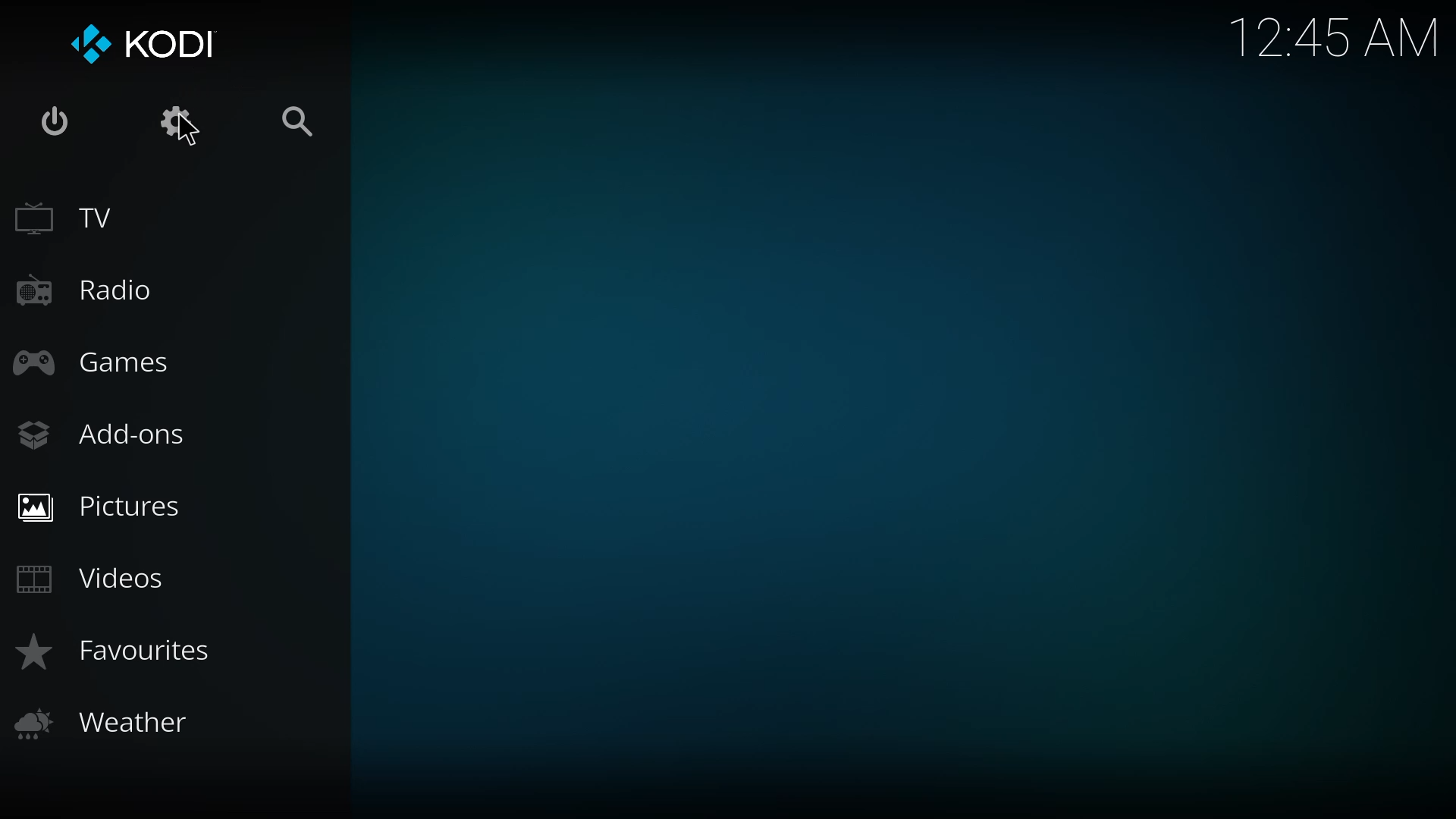  Describe the element at coordinates (97, 579) in the screenshot. I see `videos` at that location.